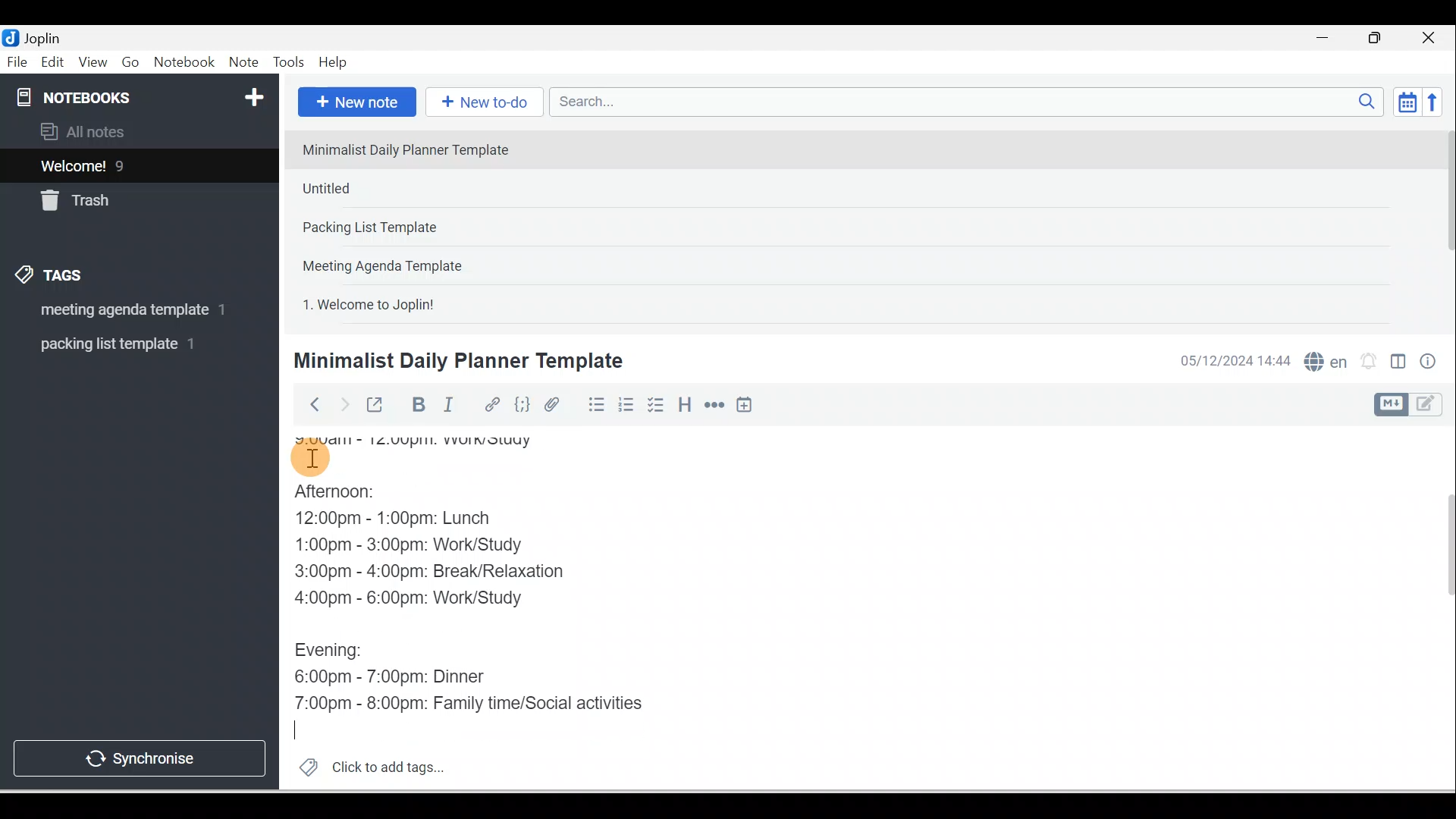 This screenshot has width=1456, height=819. Describe the element at coordinates (522, 406) in the screenshot. I see `Code` at that location.